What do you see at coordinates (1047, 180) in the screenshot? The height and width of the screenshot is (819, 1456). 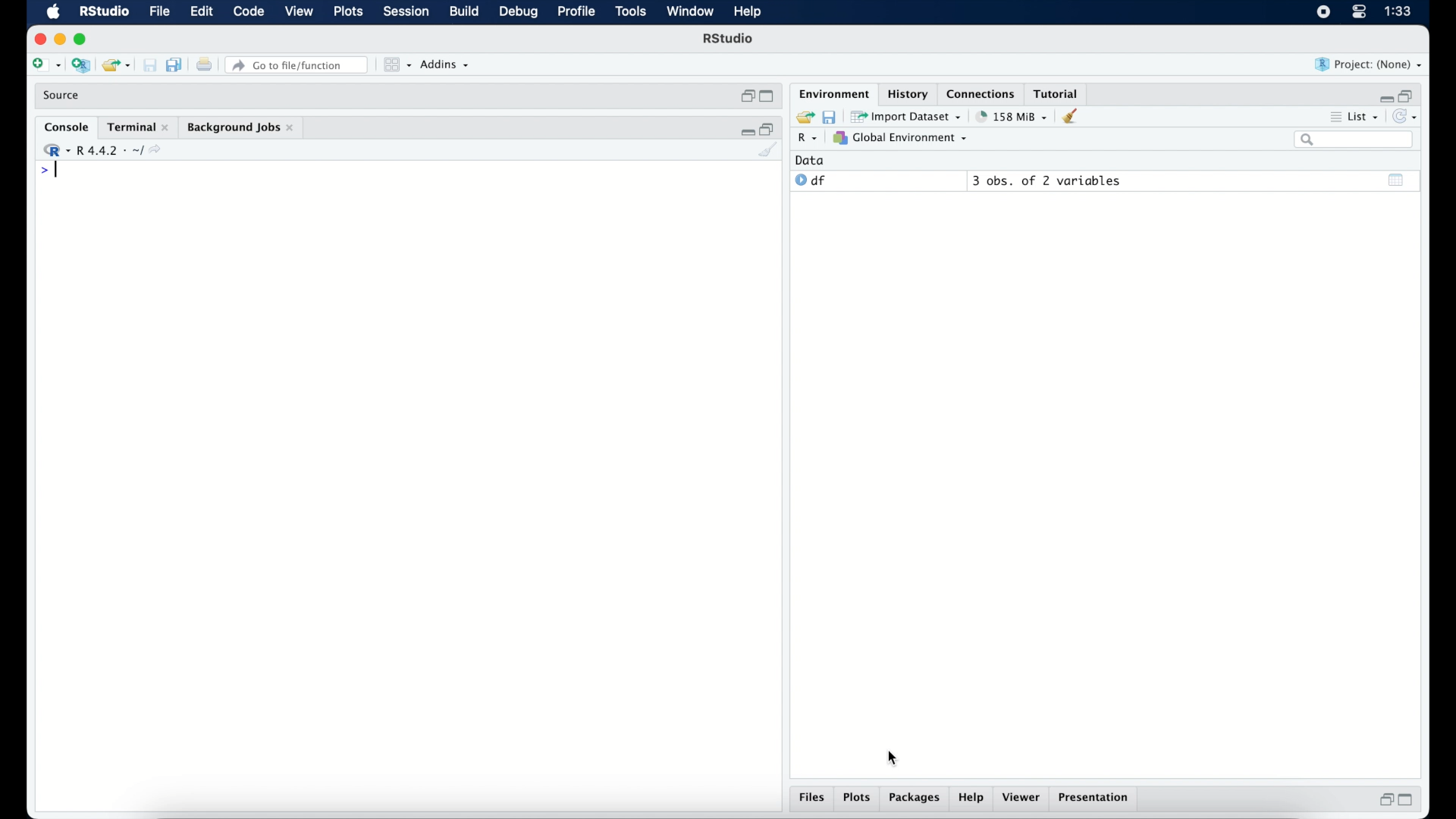 I see `3 obs, of 2 variables` at bounding box center [1047, 180].